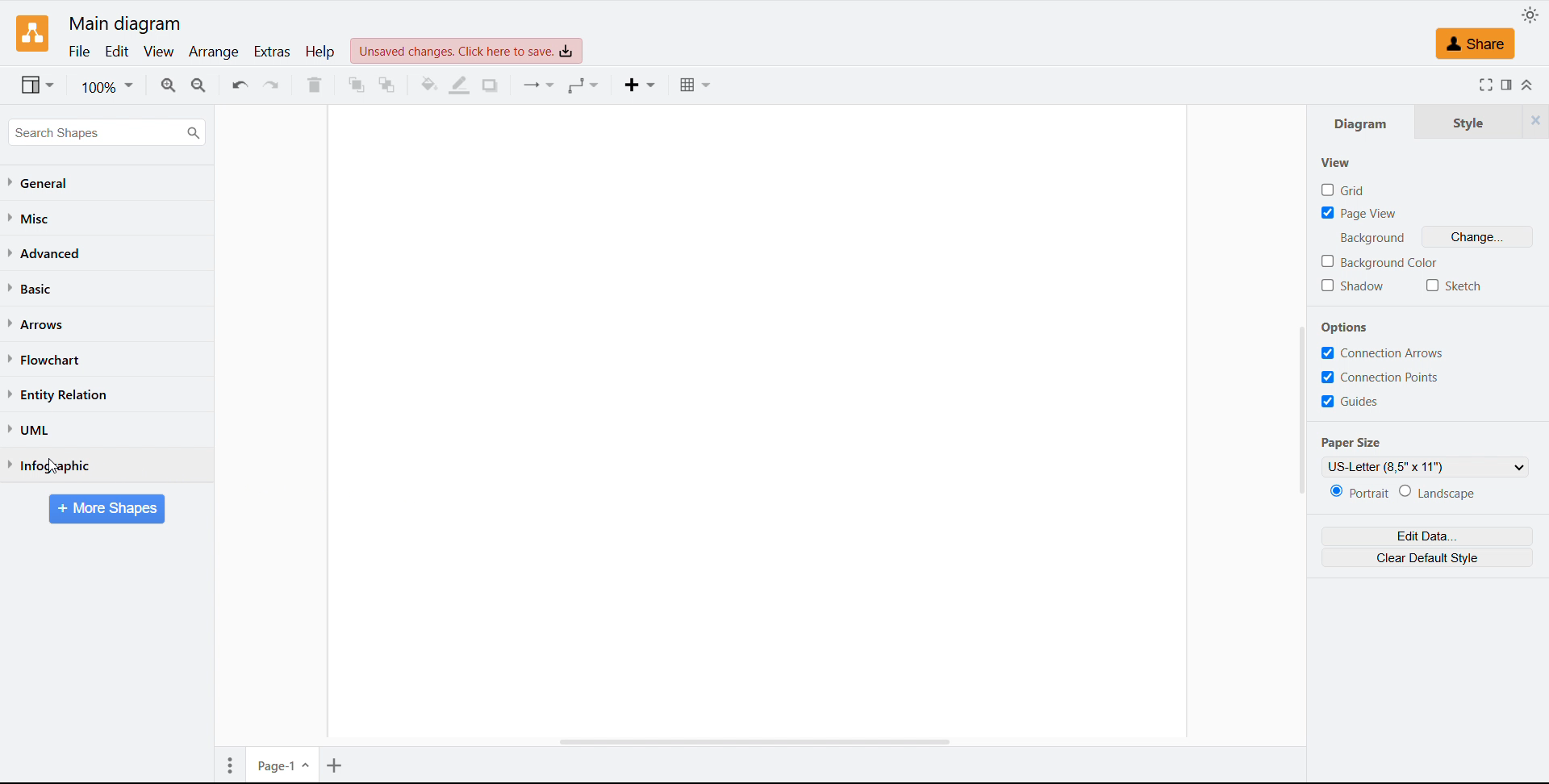 This screenshot has height=784, width=1549. What do you see at coordinates (1455, 286) in the screenshot?
I see `Sketch ` at bounding box center [1455, 286].